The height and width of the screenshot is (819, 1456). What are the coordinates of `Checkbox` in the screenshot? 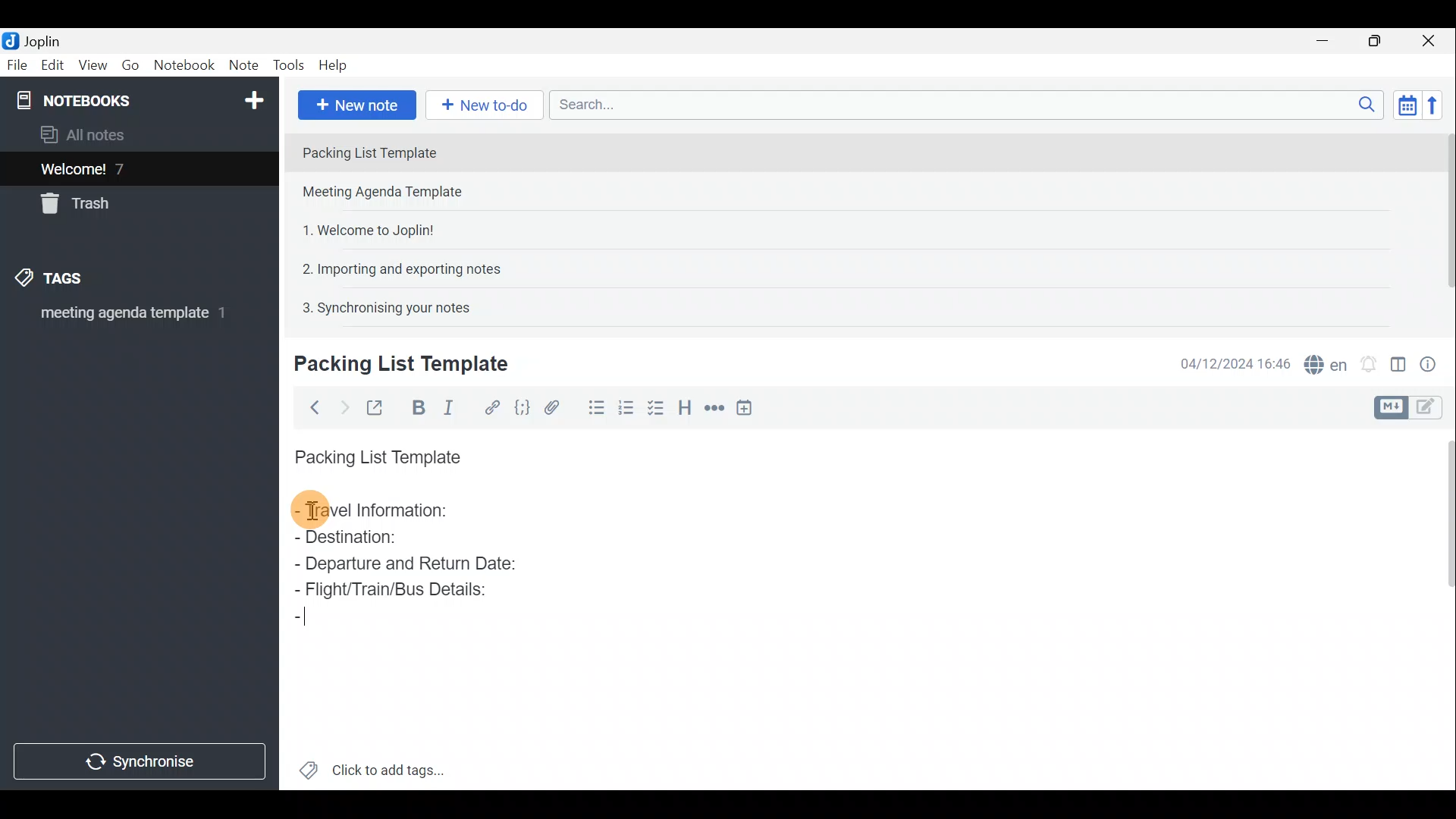 It's located at (661, 412).